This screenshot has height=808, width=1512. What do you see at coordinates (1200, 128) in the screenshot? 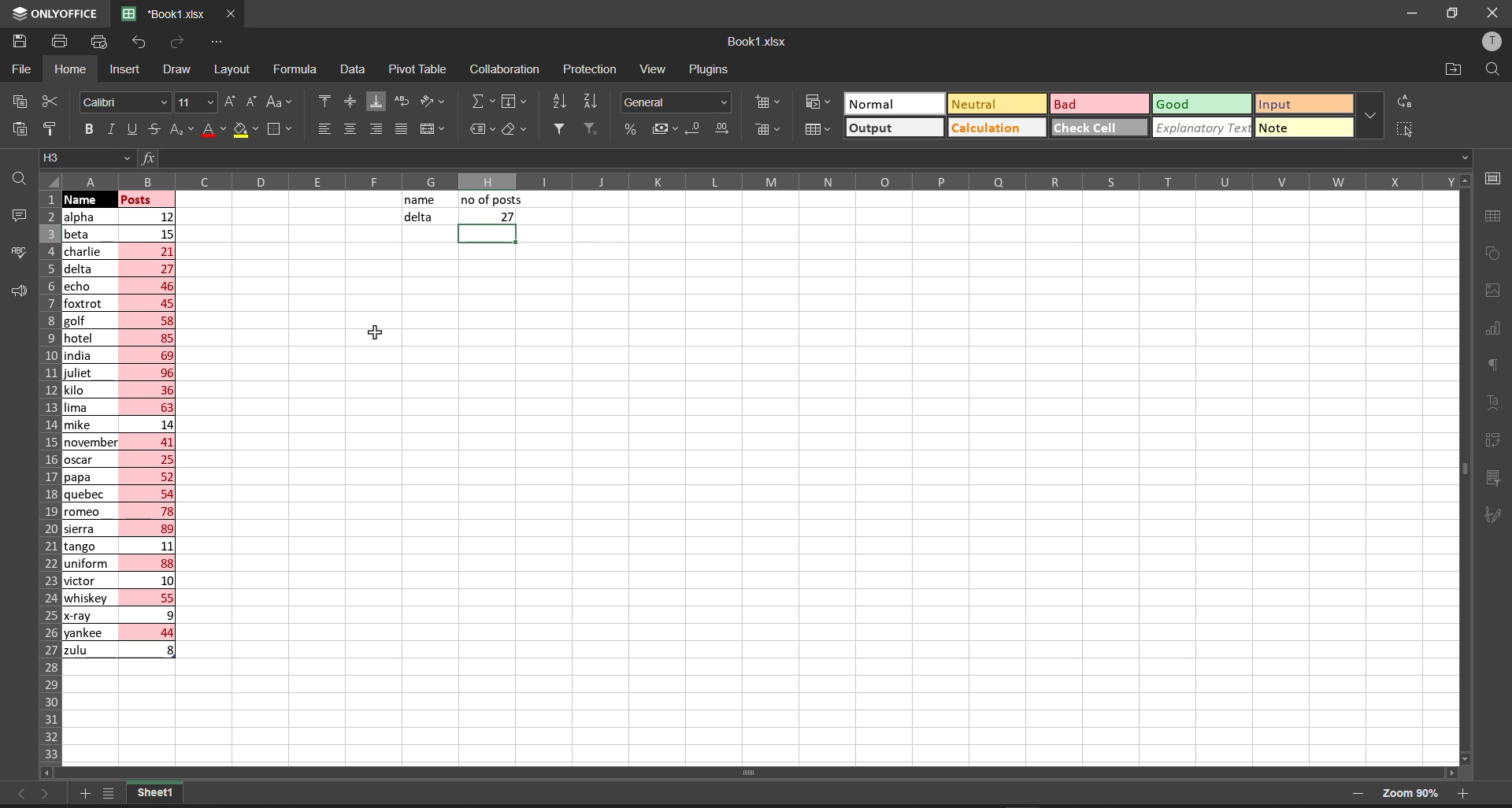
I see `explanatory Text` at bounding box center [1200, 128].